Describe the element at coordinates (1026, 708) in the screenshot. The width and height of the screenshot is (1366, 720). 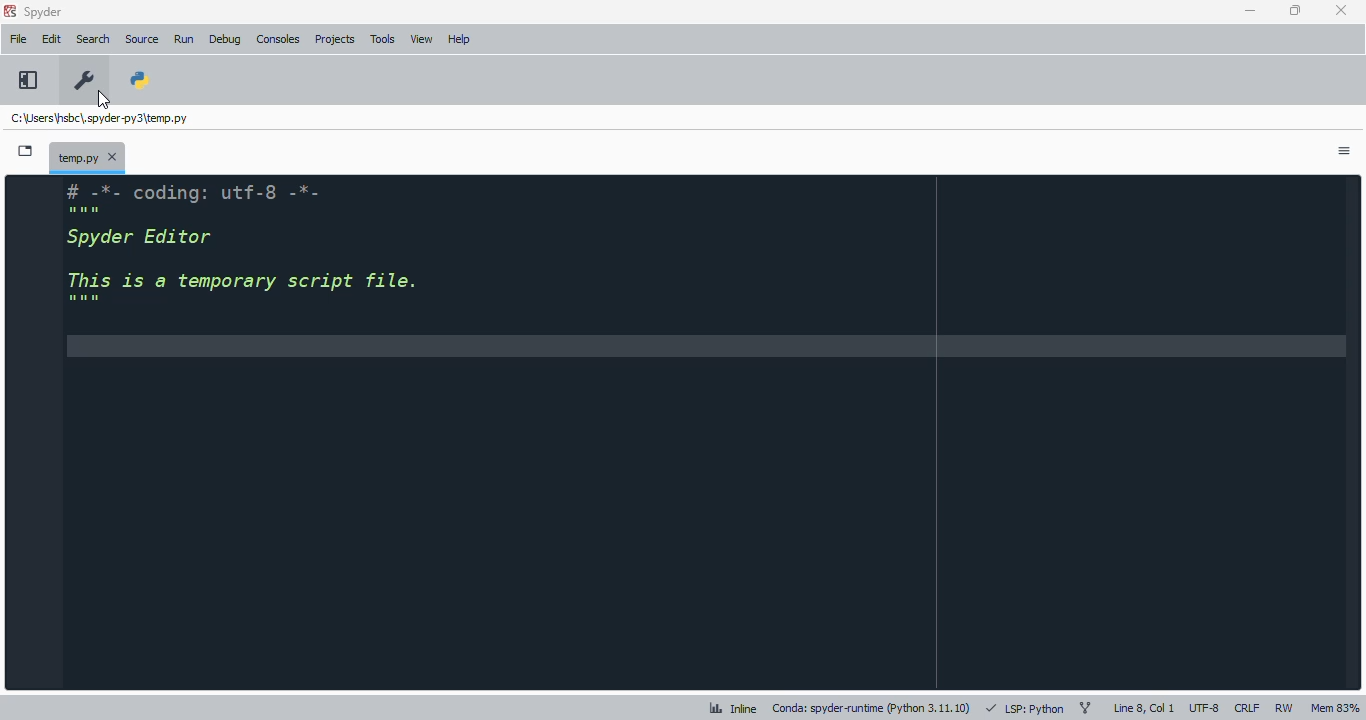
I see `LSP: python` at that location.